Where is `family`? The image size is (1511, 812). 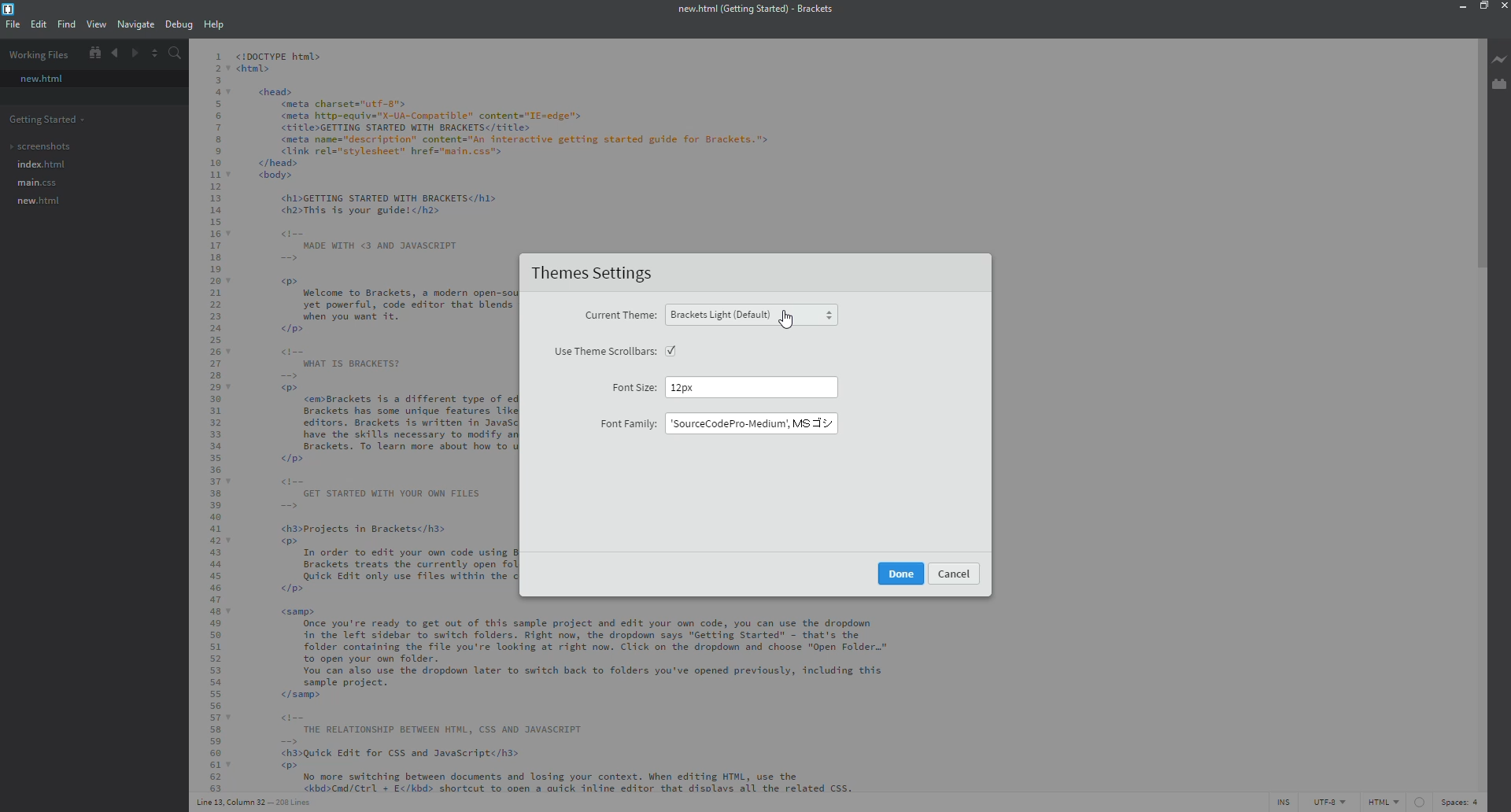 family is located at coordinates (750, 424).